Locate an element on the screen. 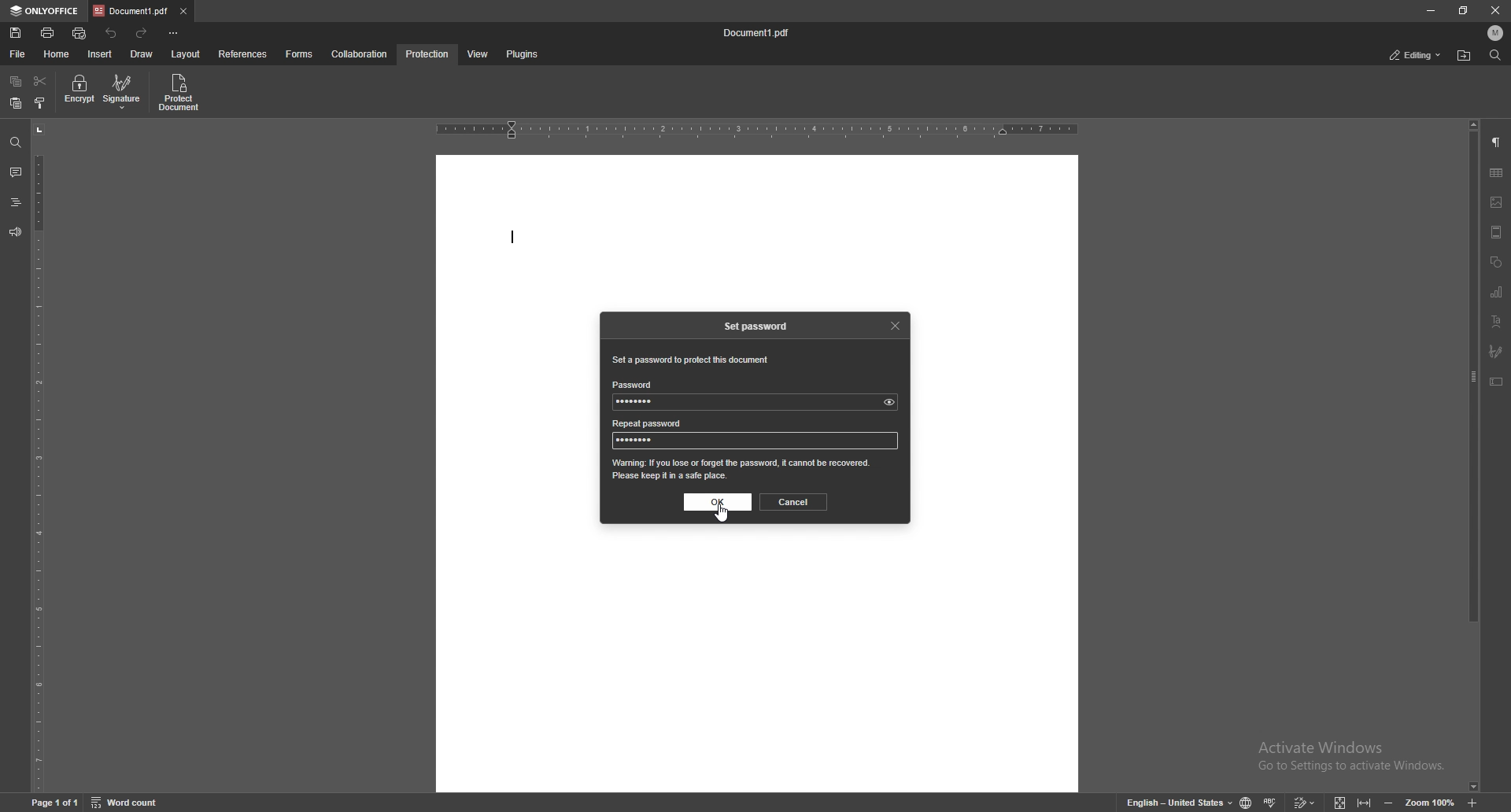 The image size is (1511, 812). close is located at coordinates (1495, 12).